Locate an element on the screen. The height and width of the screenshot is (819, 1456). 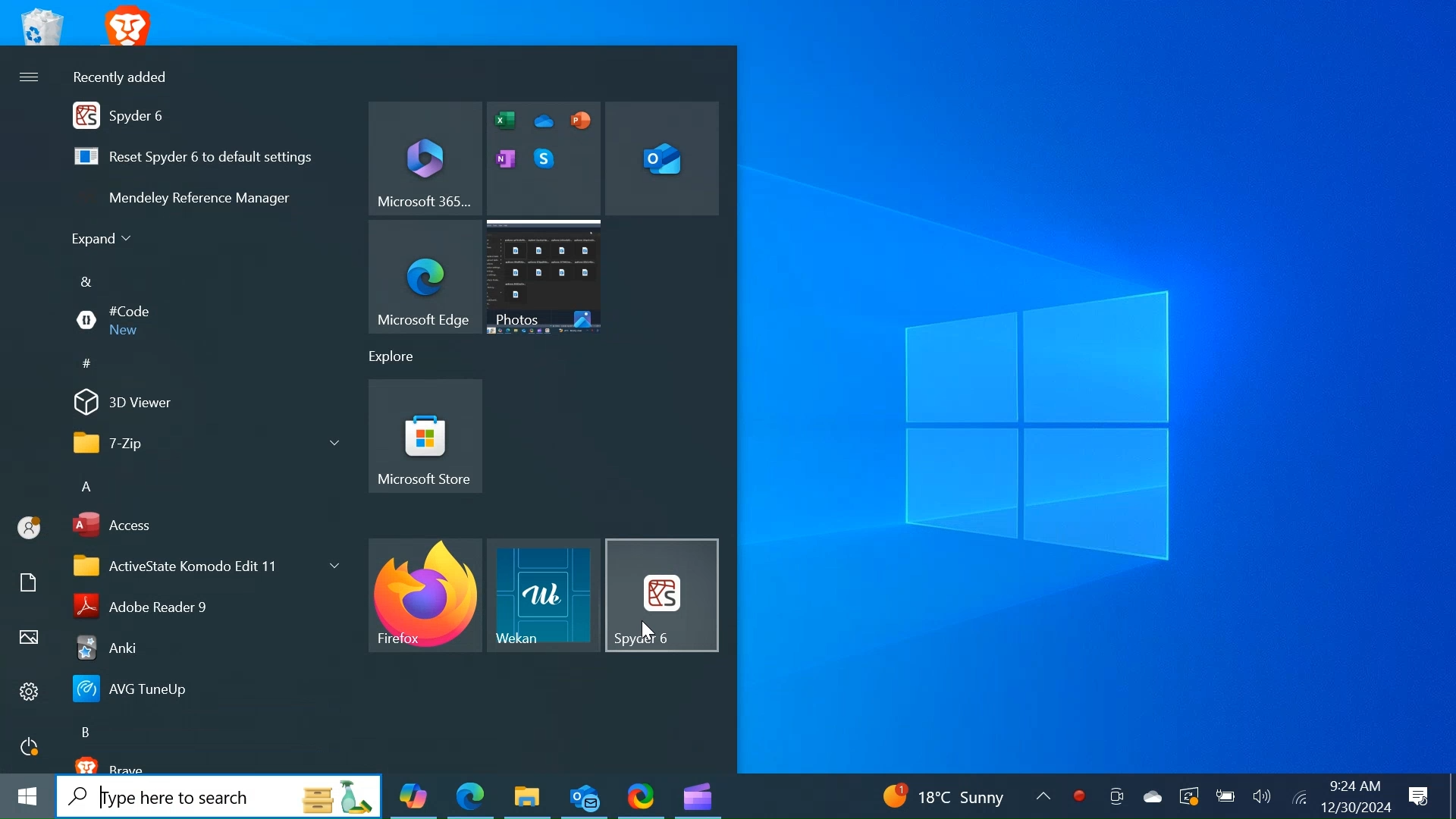
ActiveState Komodo Edit 11 is located at coordinates (203, 565).